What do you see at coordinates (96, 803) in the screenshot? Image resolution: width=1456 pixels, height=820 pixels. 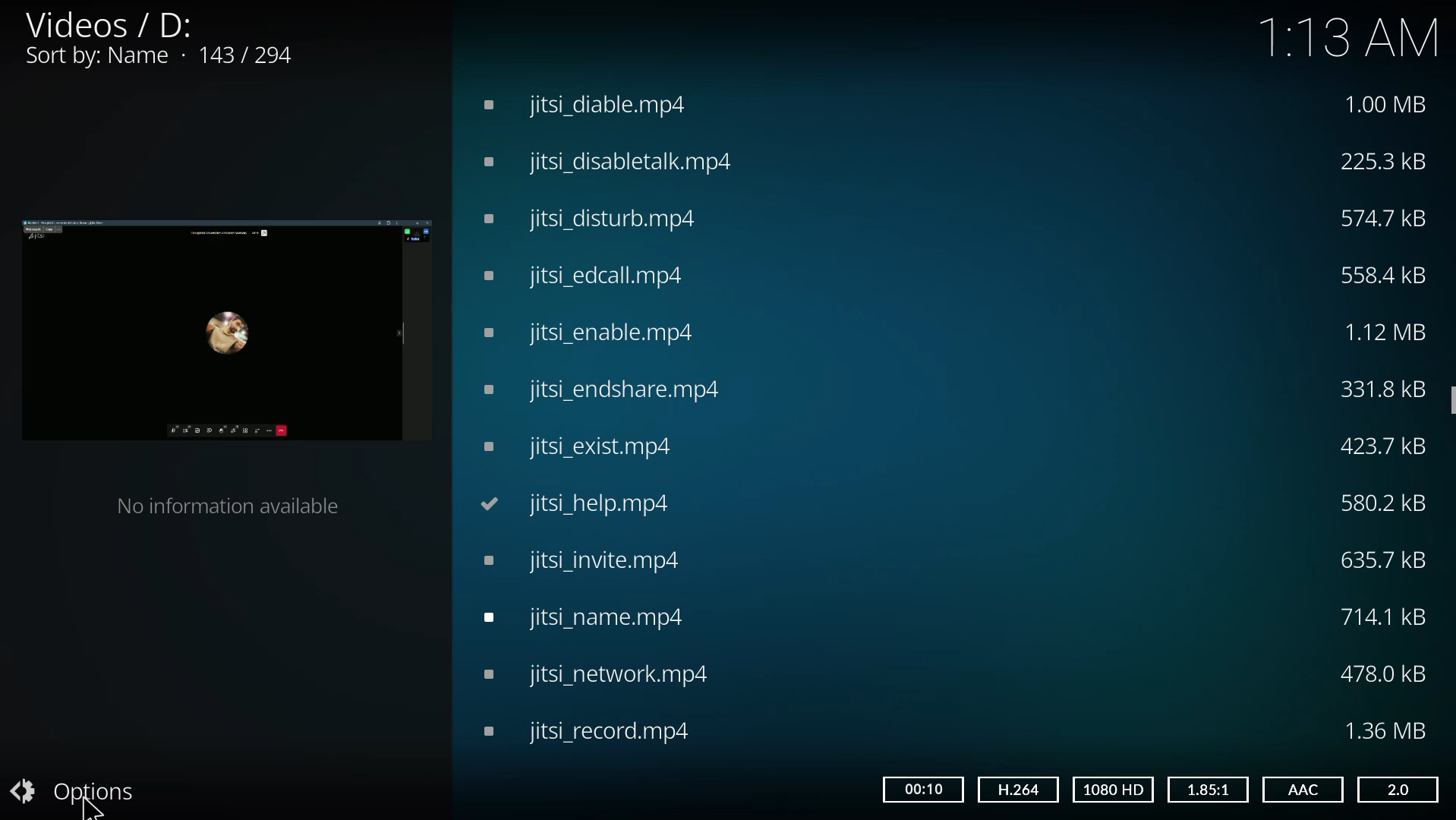 I see `cursor` at bounding box center [96, 803].